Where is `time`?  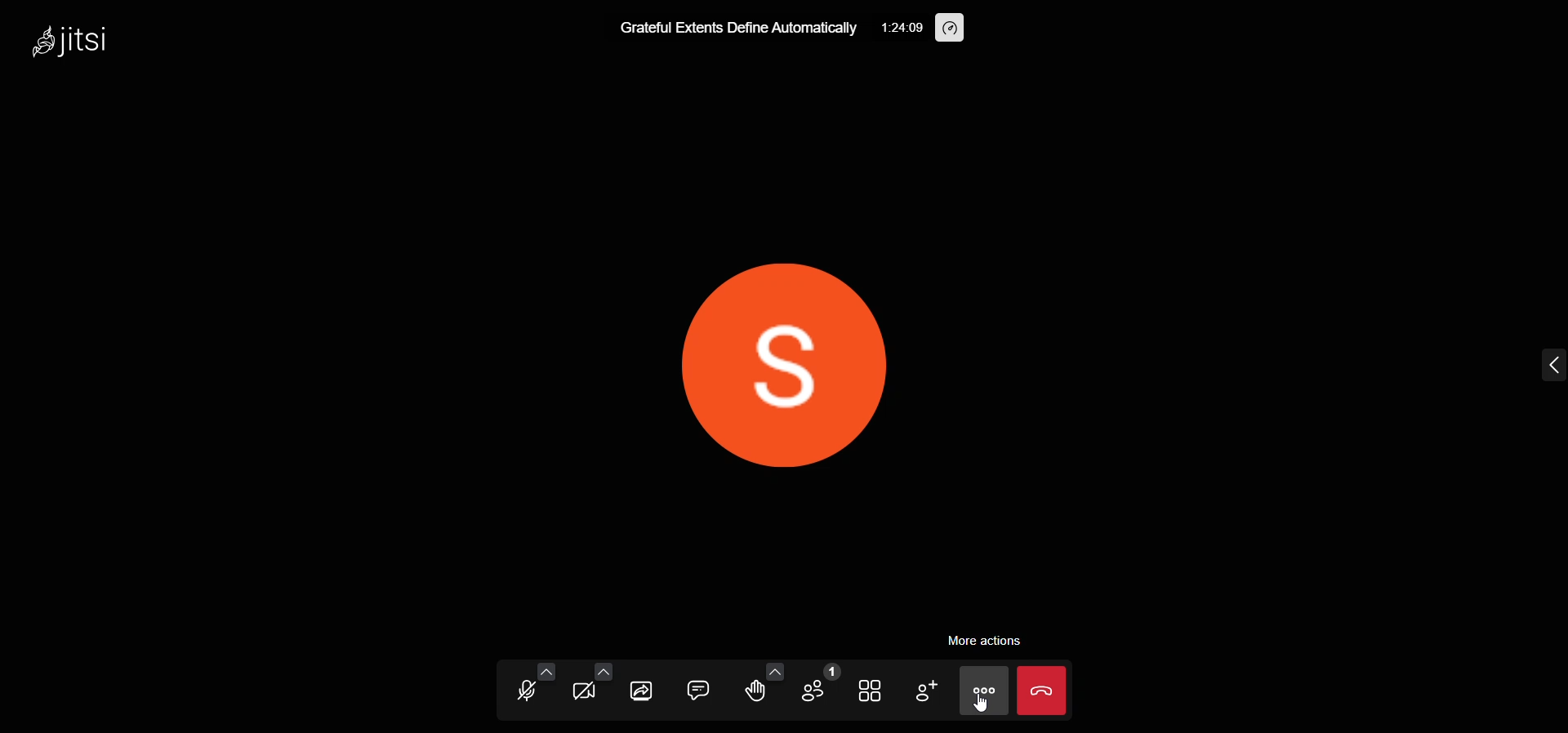
time is located at coordinates (902, 29).